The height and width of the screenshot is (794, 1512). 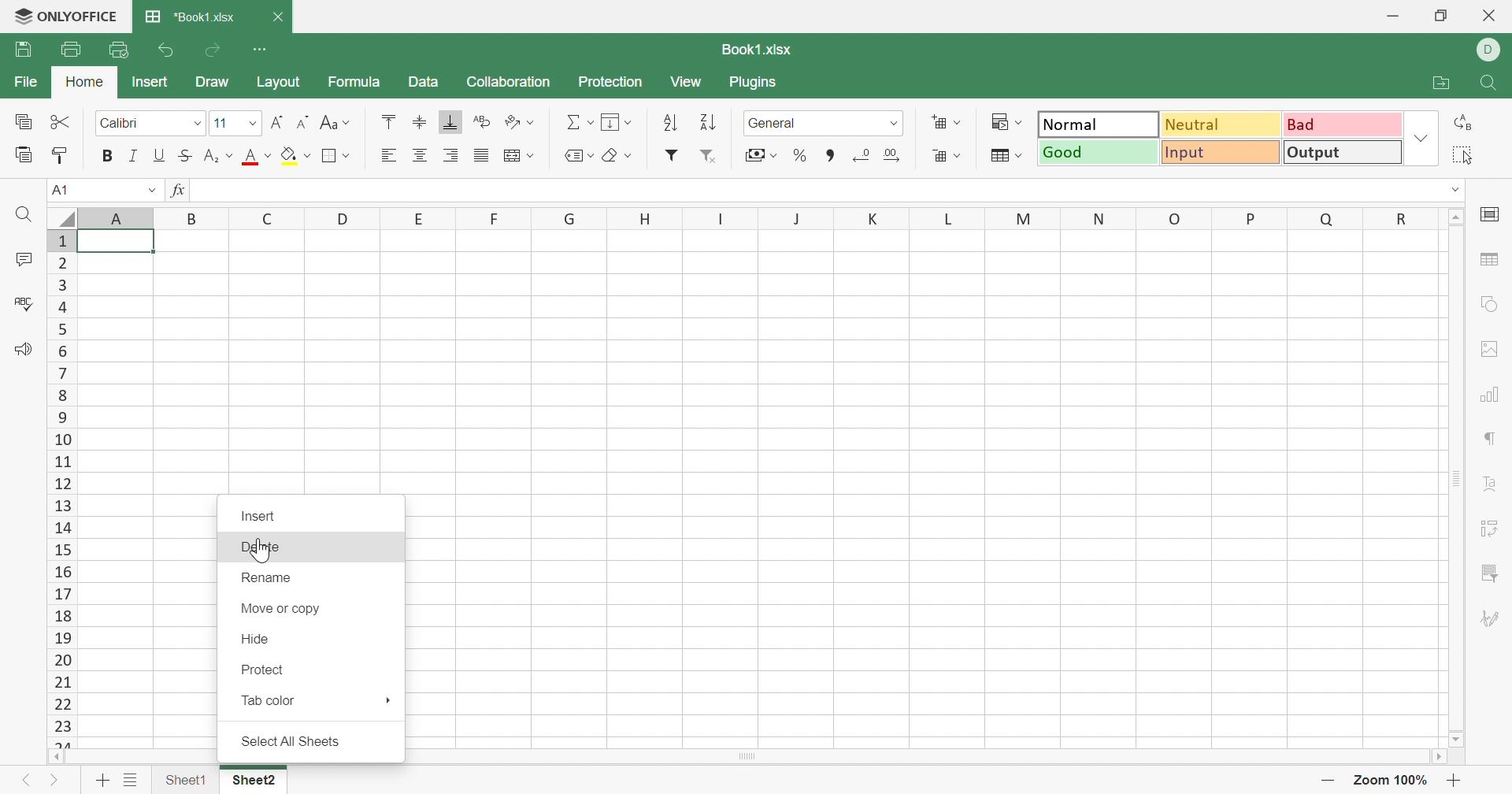 What do you see at coordinates (571, 121) in the screenshot?
I see `Summation` at bounding box center [571, 121].